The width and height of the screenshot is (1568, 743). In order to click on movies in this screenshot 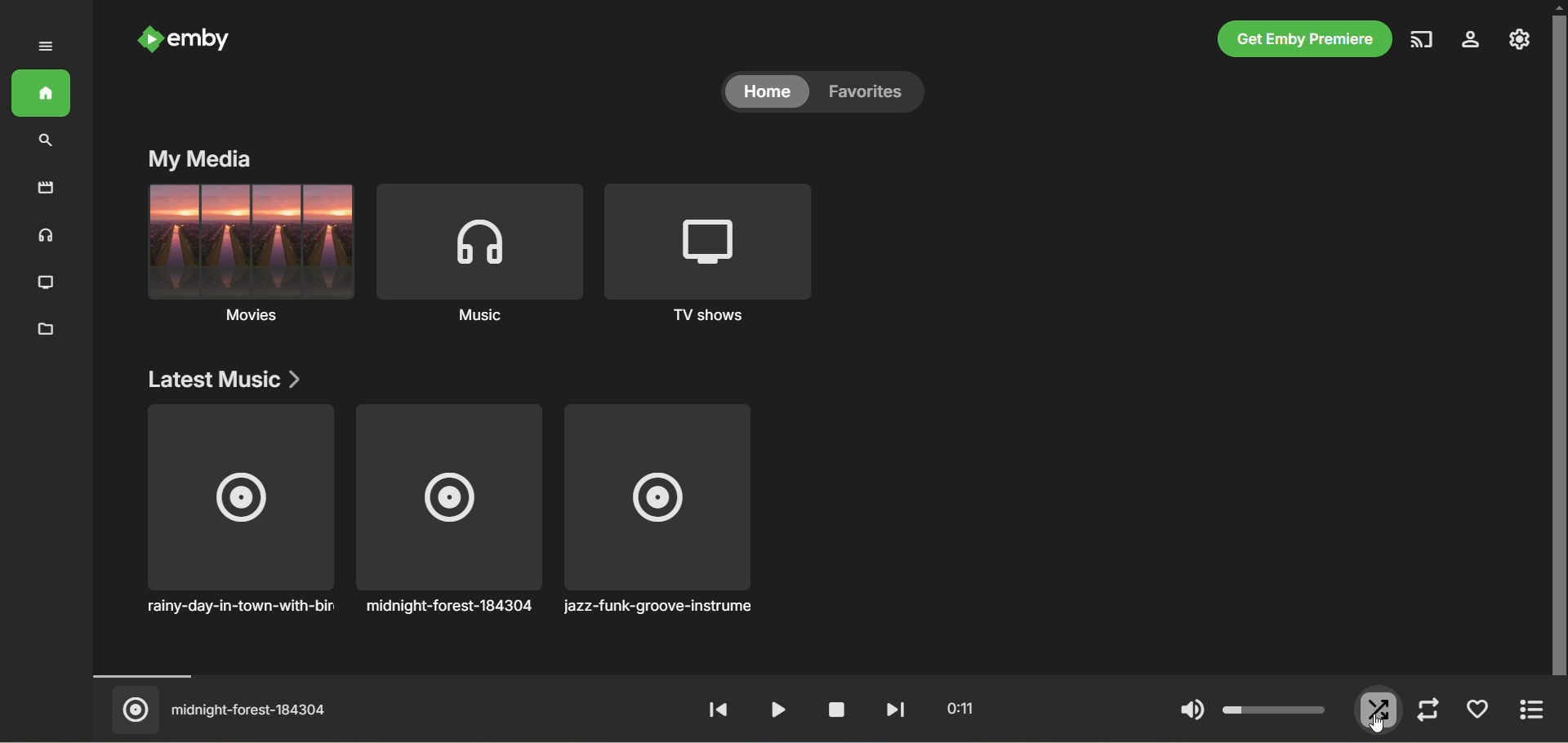, I will do `click(251, 253)`.